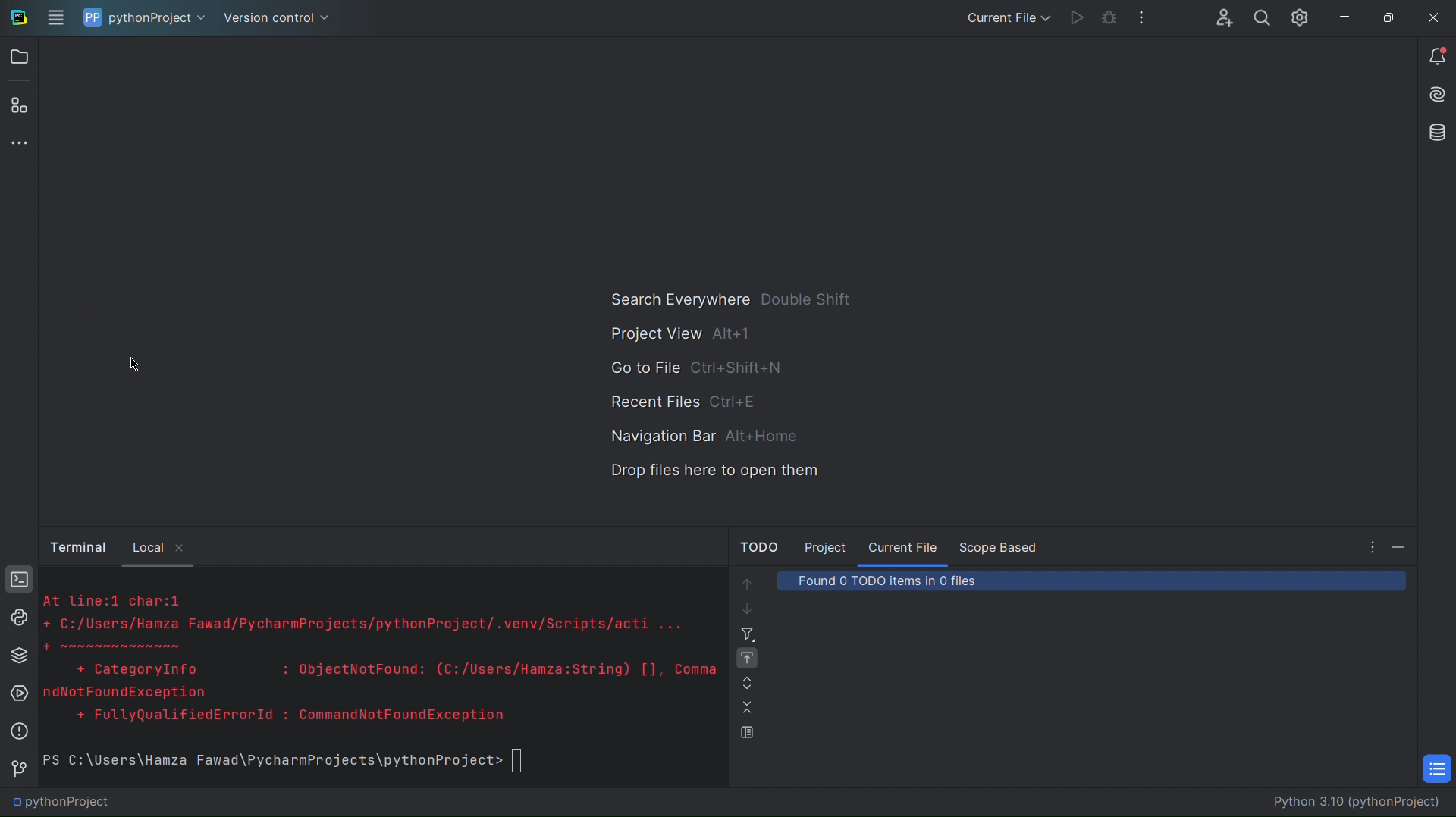  Describe the element at coordinates (1435, 15) in the screenshot. I see `Close` at that location.